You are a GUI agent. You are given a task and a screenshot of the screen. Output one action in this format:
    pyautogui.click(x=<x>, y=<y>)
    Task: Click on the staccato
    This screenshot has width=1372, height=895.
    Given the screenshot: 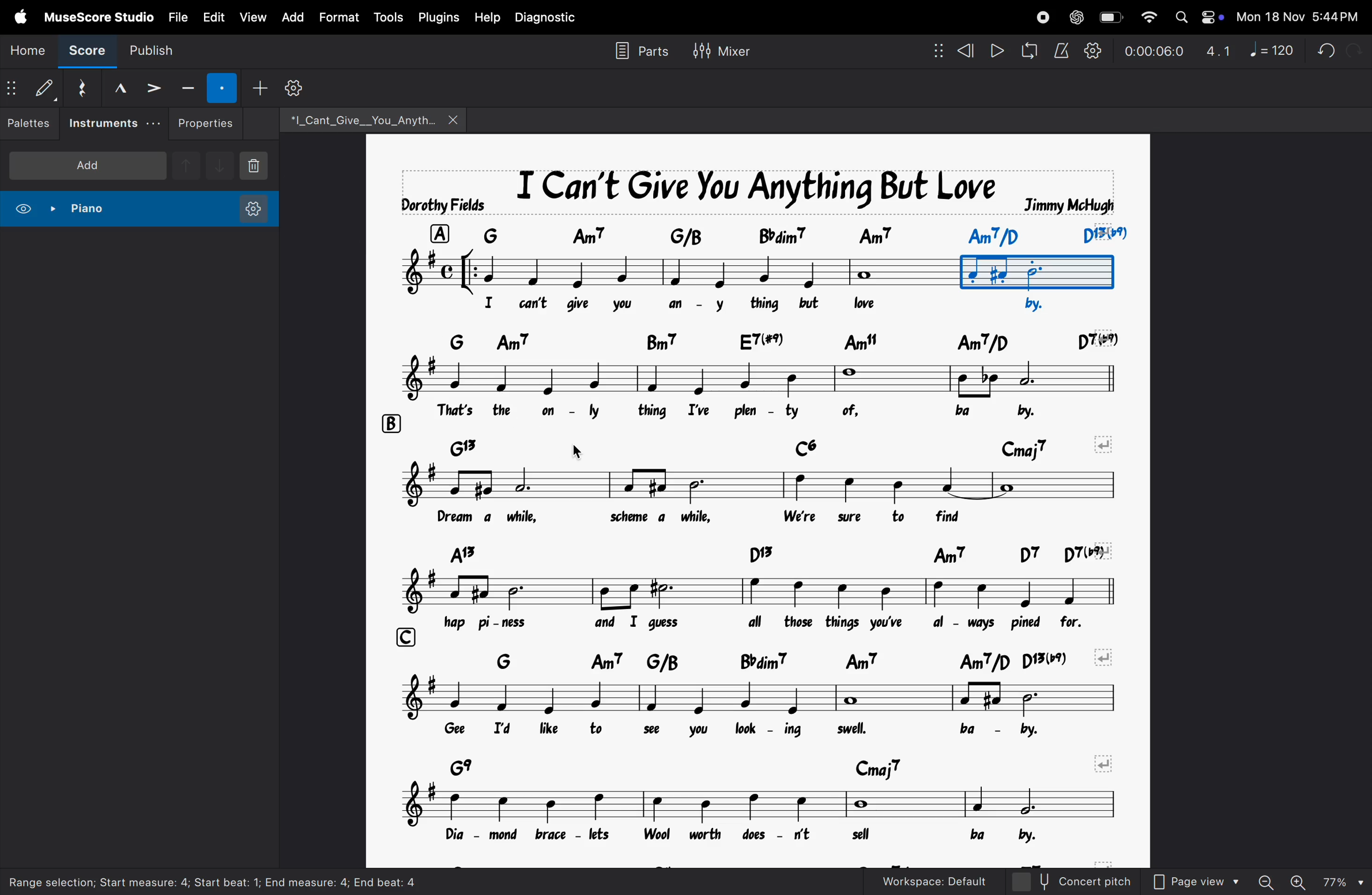 What is the action you would take?
    pyautogui.click(x=223, y=87)
    